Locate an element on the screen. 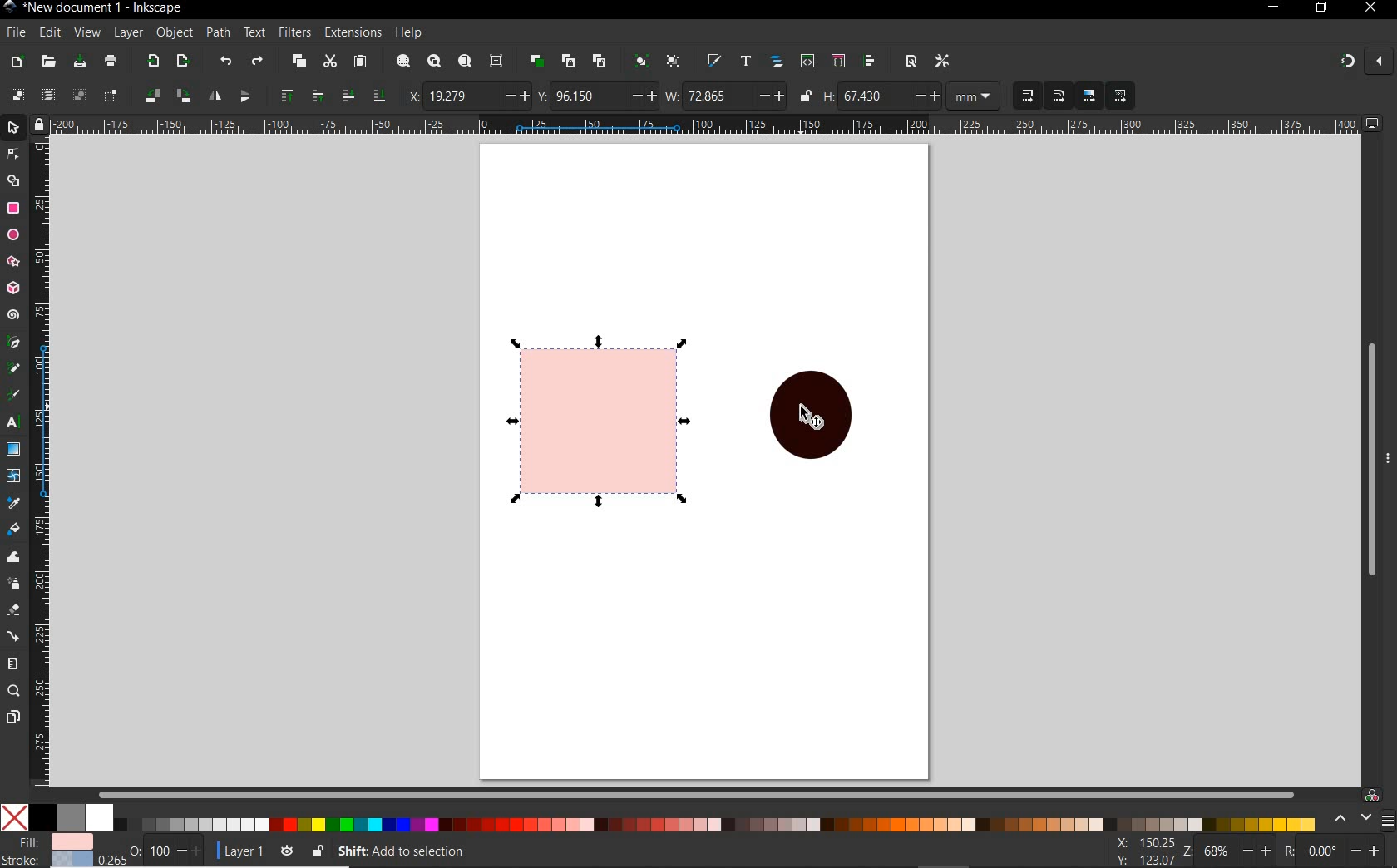  select tool is located at coordinates (14, 126).